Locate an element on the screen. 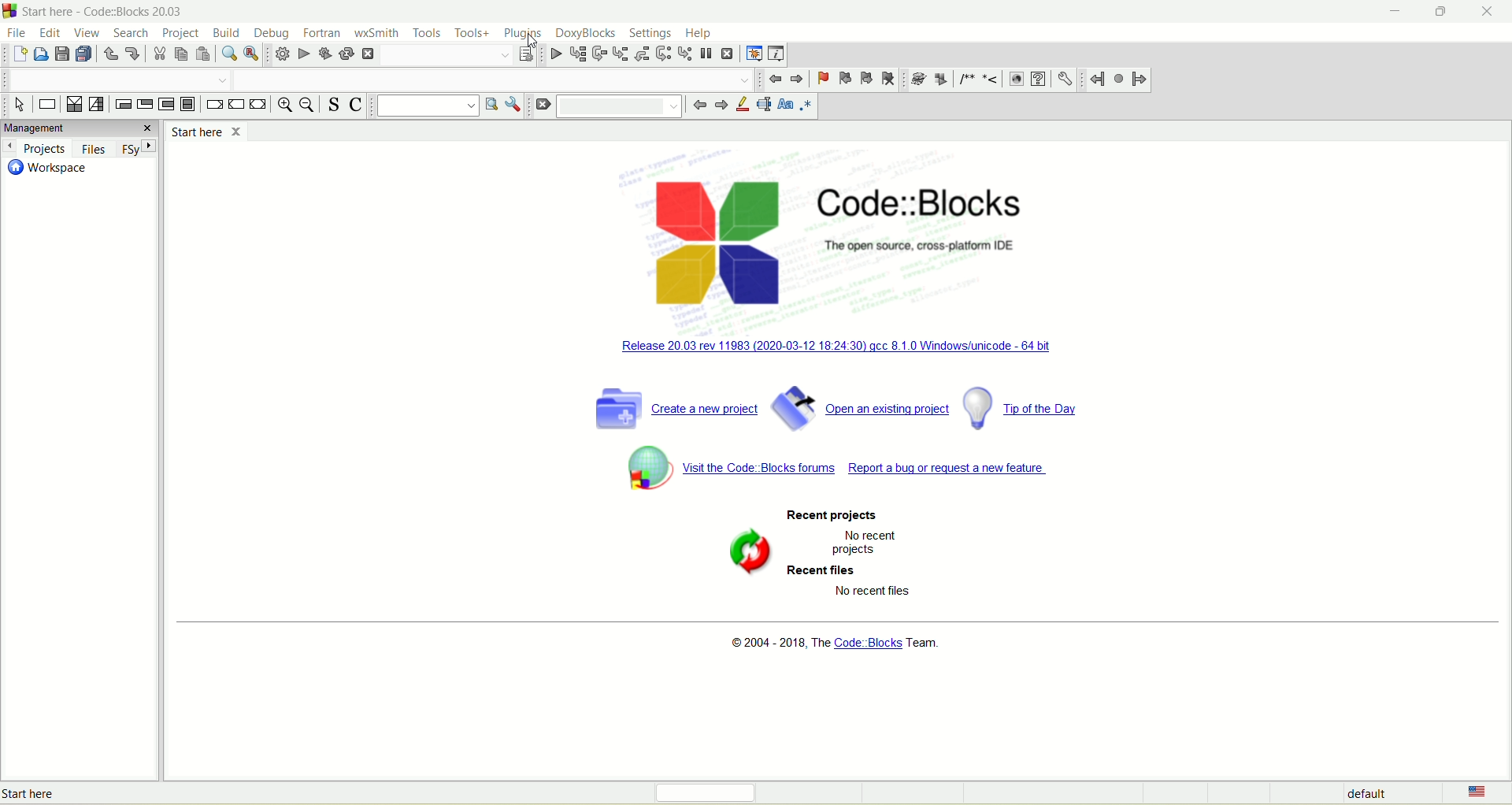 This screenshot has width=1512, height=805. step into instructions is located at coordinates (684, 54).